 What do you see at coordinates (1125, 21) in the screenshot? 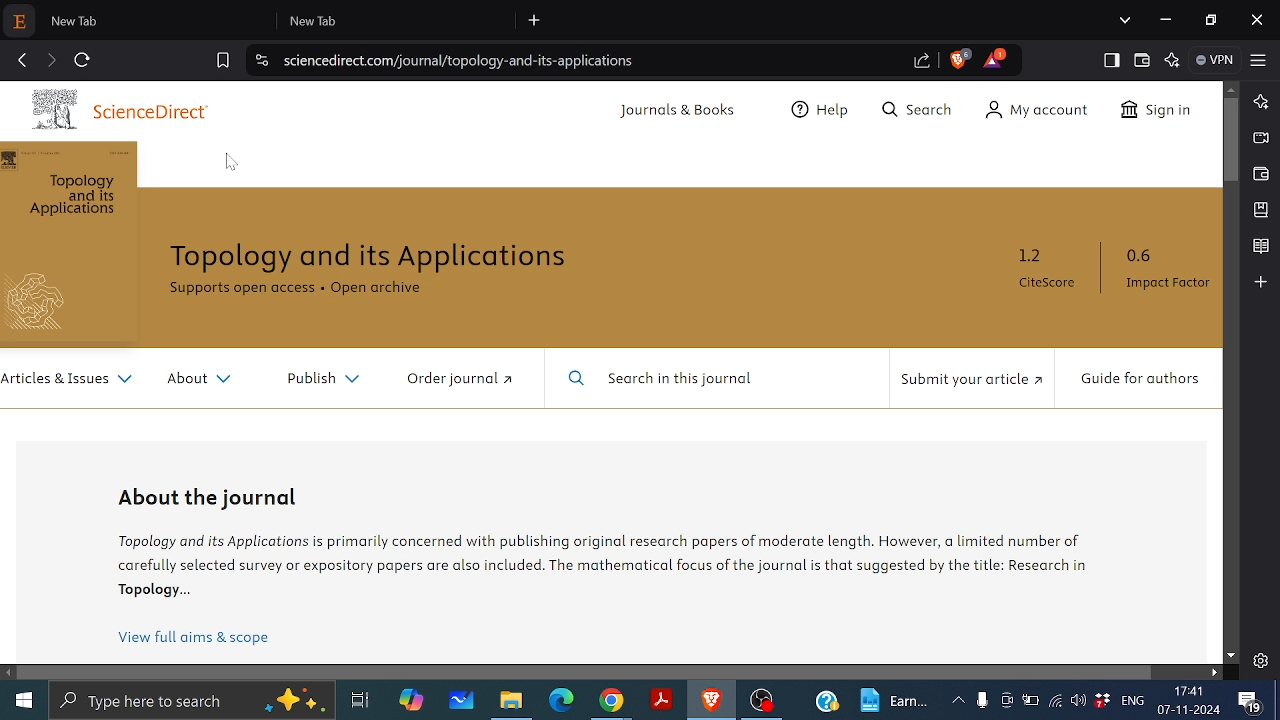
I see `Search tab` at bounding box center [1125, 21].